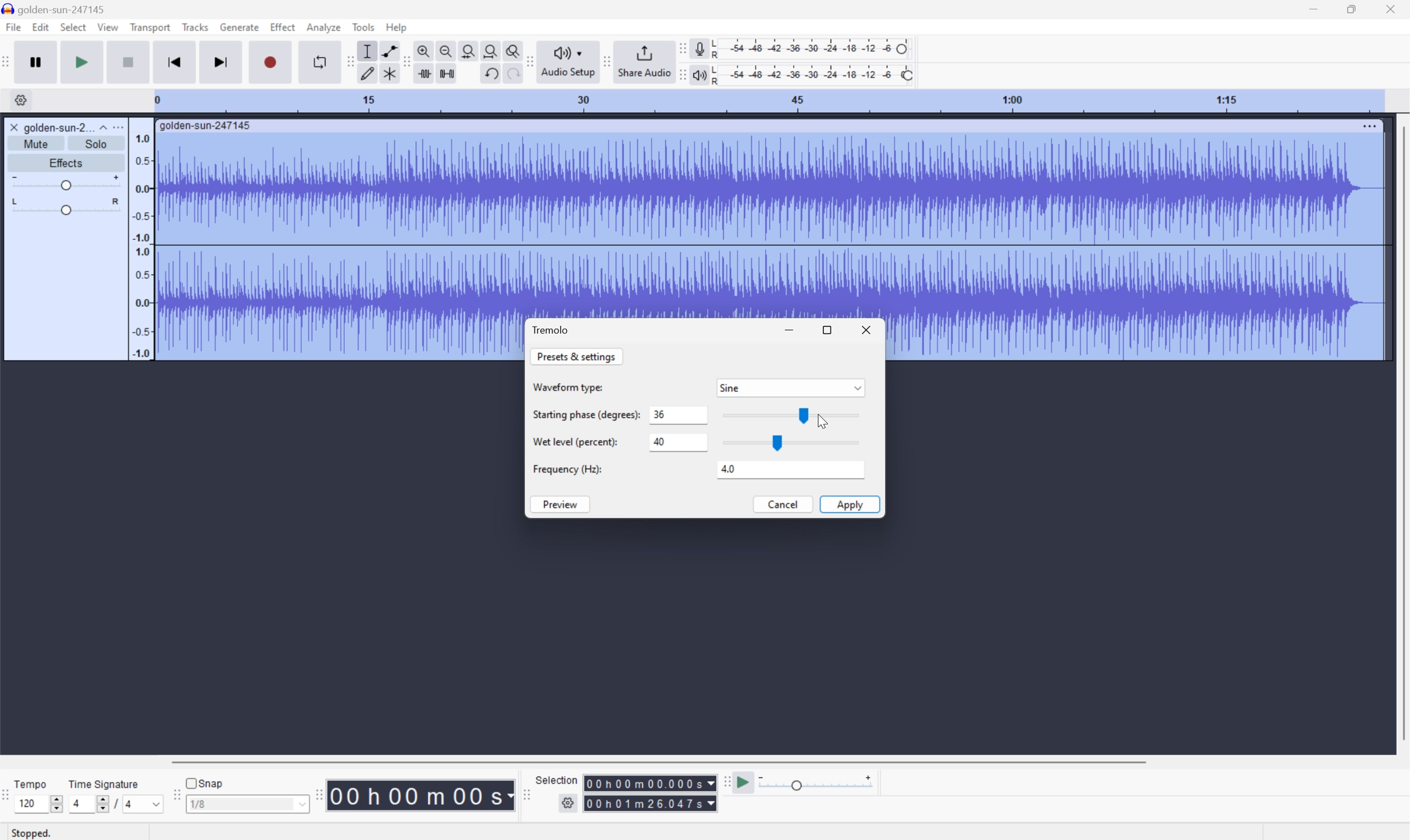 This screenshot has height=840, width=1410. What do you see at coordinates (319, 61) in the screenshot?
I see `Enable looping` at bounding box center [319, 61].